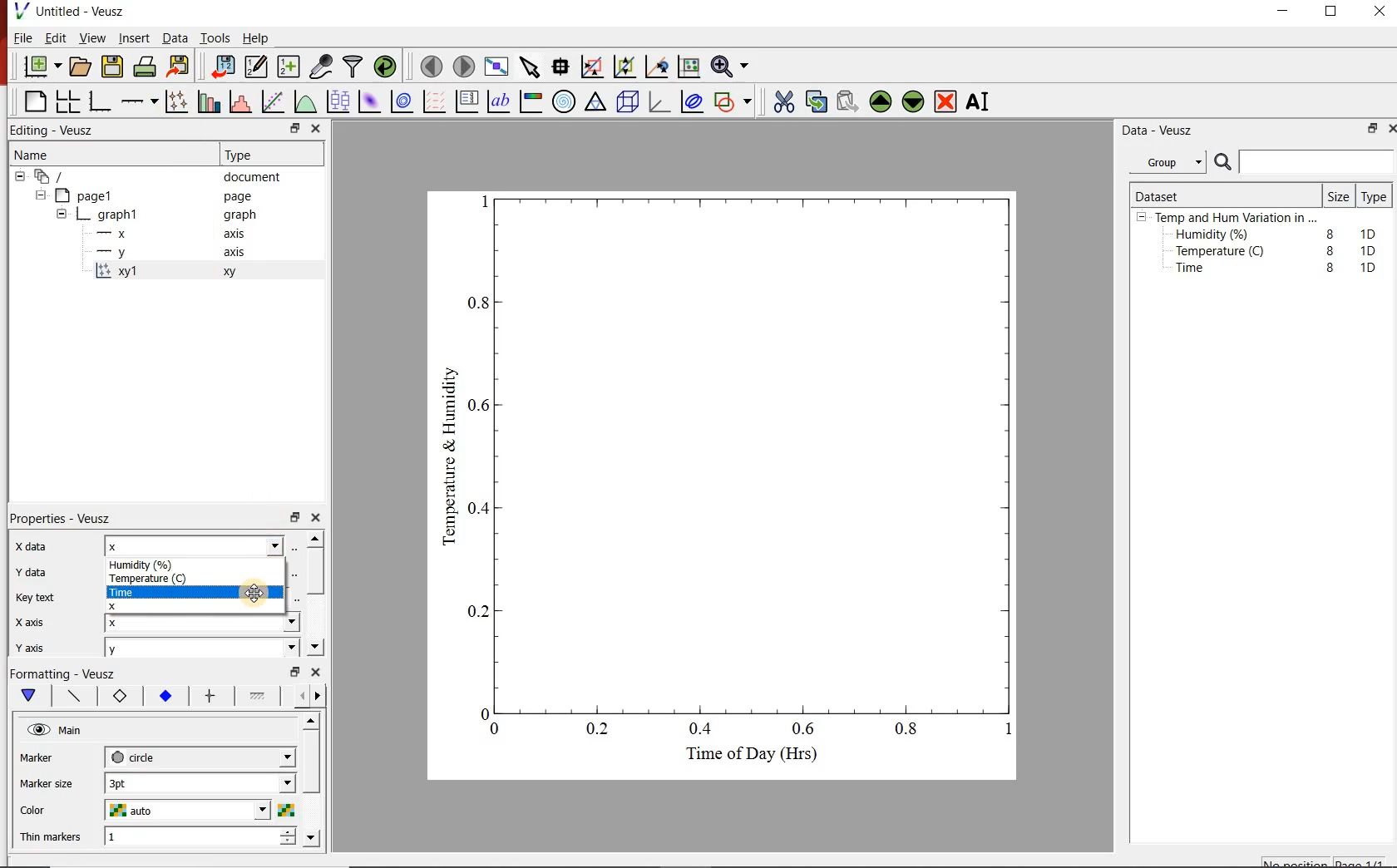 The width and height of the screenshot is (1397, 868). I want to click on reload linked datasets, so click(385, 67).